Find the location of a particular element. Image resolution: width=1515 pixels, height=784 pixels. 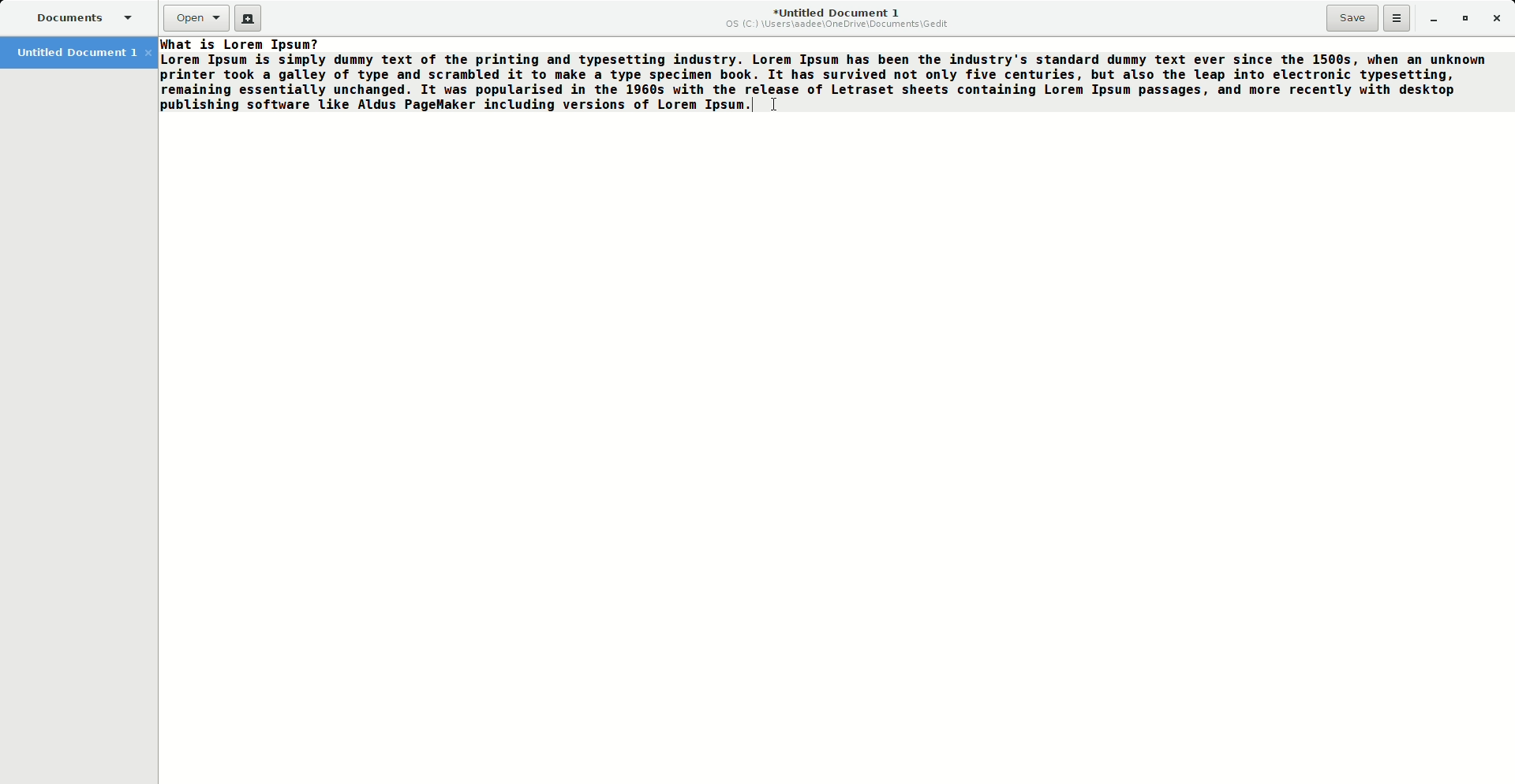

Filler text is located at coordinates (824, 75).